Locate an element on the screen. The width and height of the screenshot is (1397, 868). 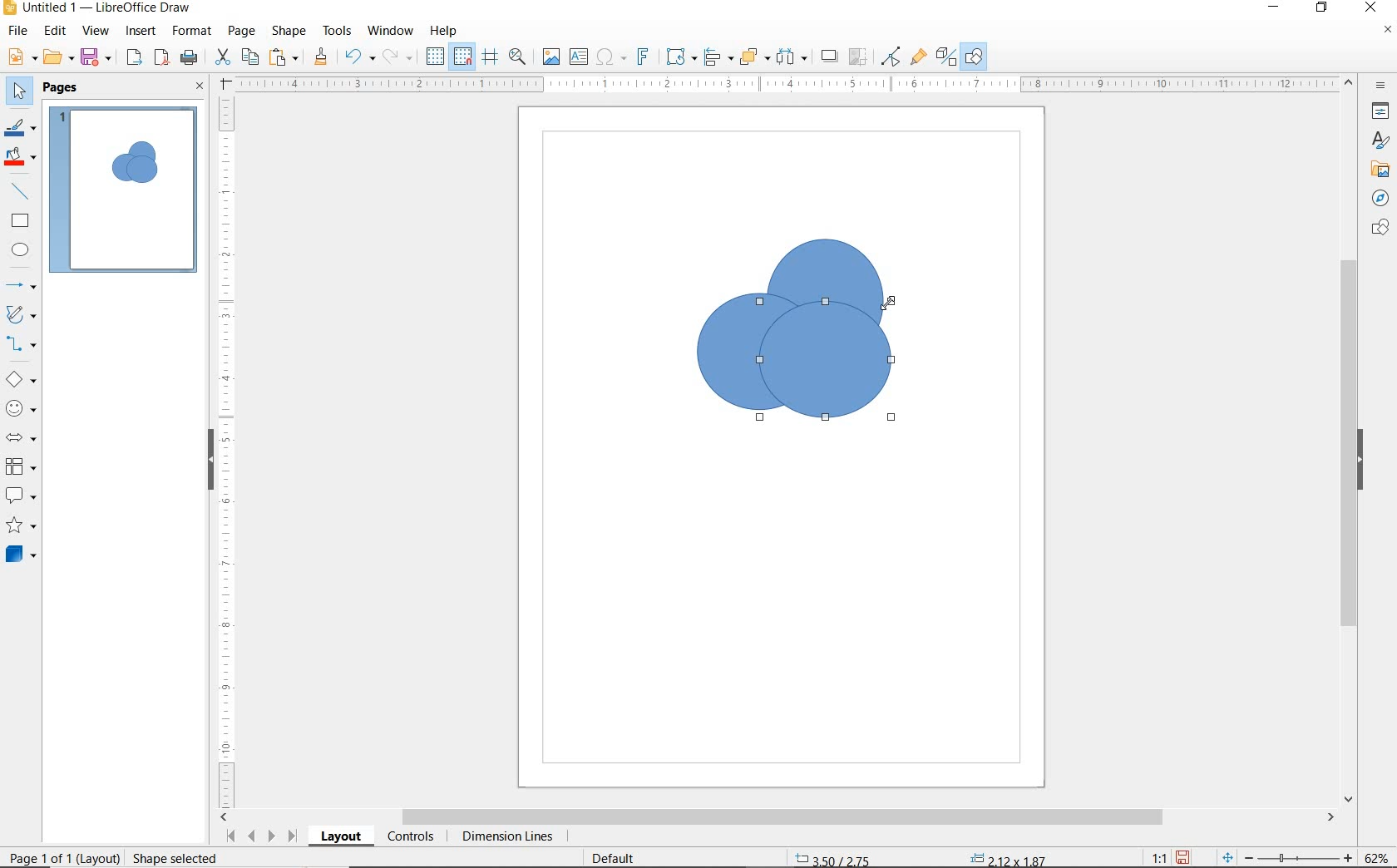
INSERT IMAGE is located at coordinates (551, 57).